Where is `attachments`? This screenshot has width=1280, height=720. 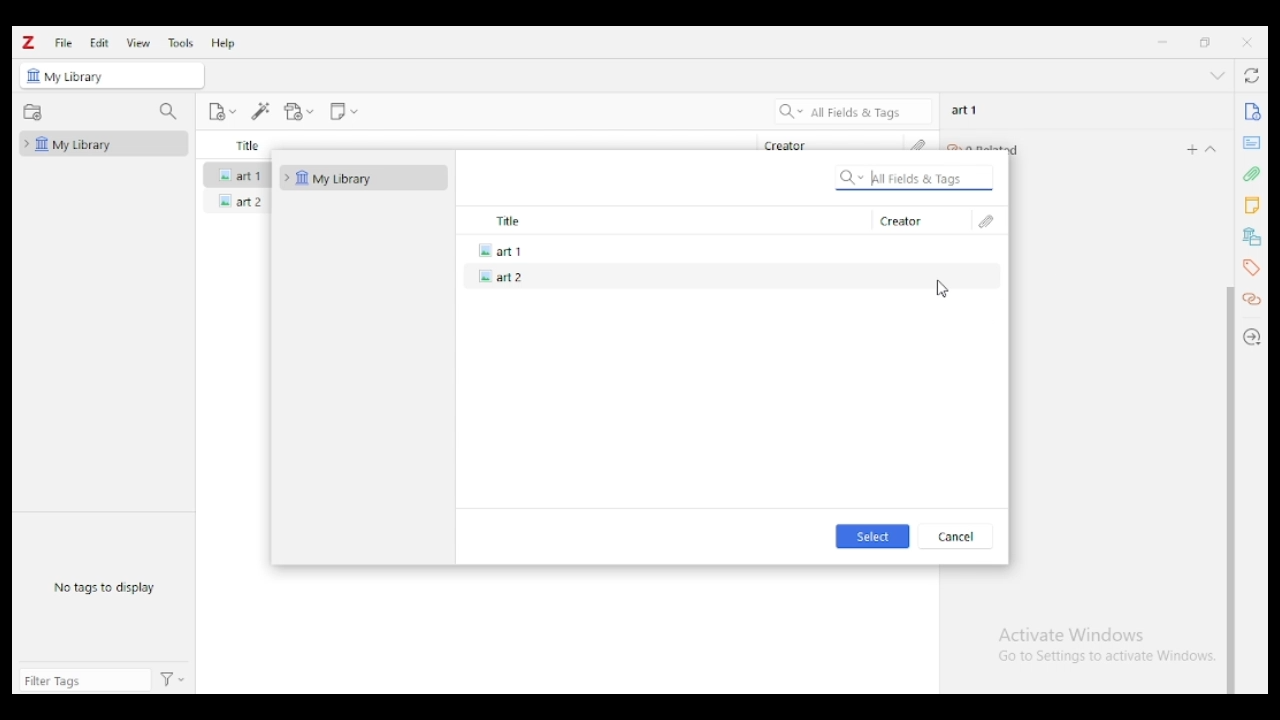
attachments is located at coordinates (988, 221).